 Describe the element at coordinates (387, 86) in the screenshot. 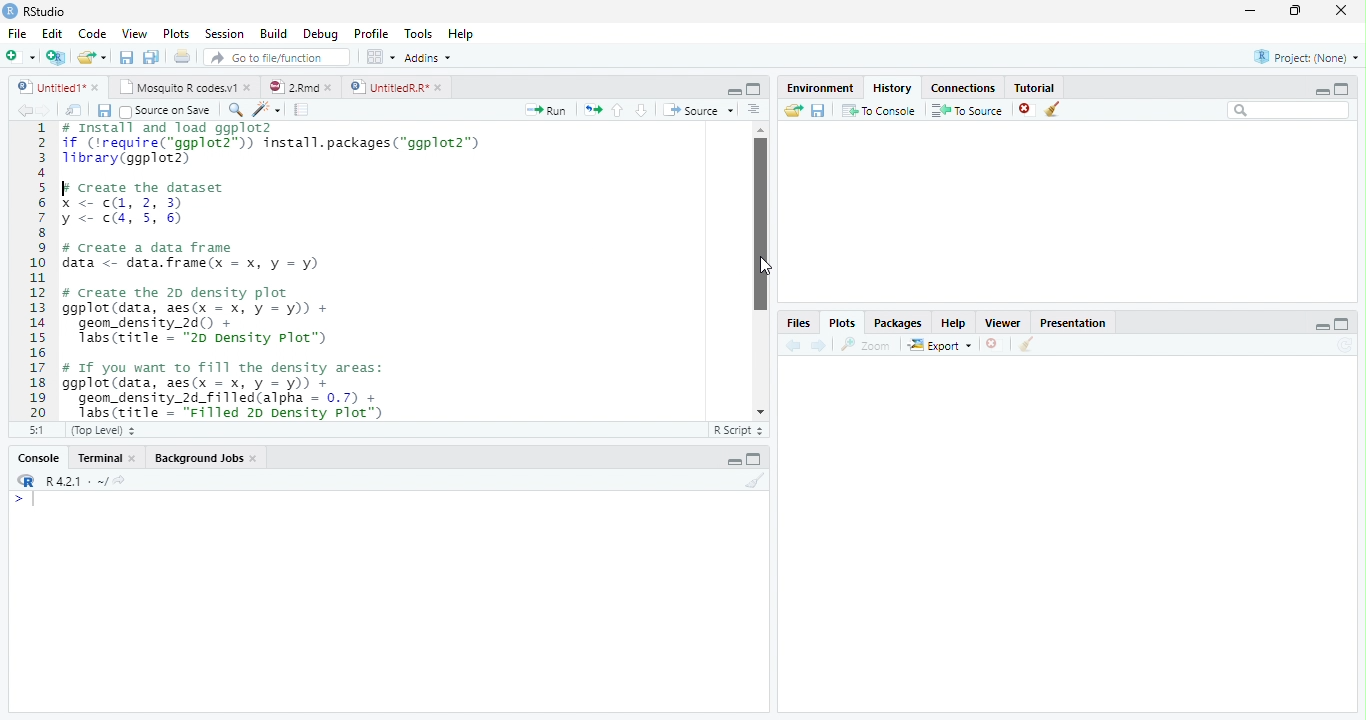

I see `UnttiedR Rr”` at that location.